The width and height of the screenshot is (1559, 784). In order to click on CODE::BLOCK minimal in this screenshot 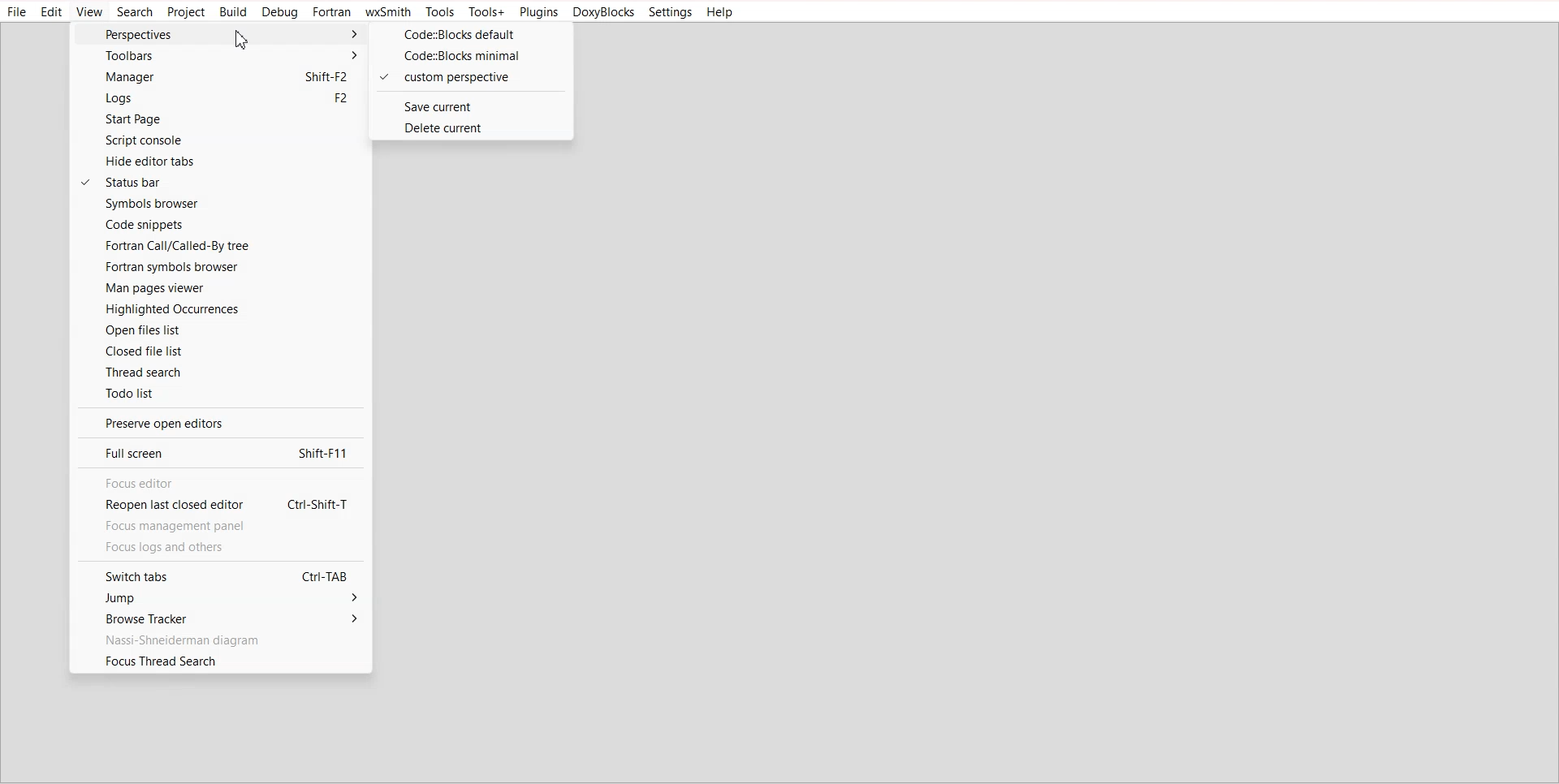, I will do `click(469, 56)`.